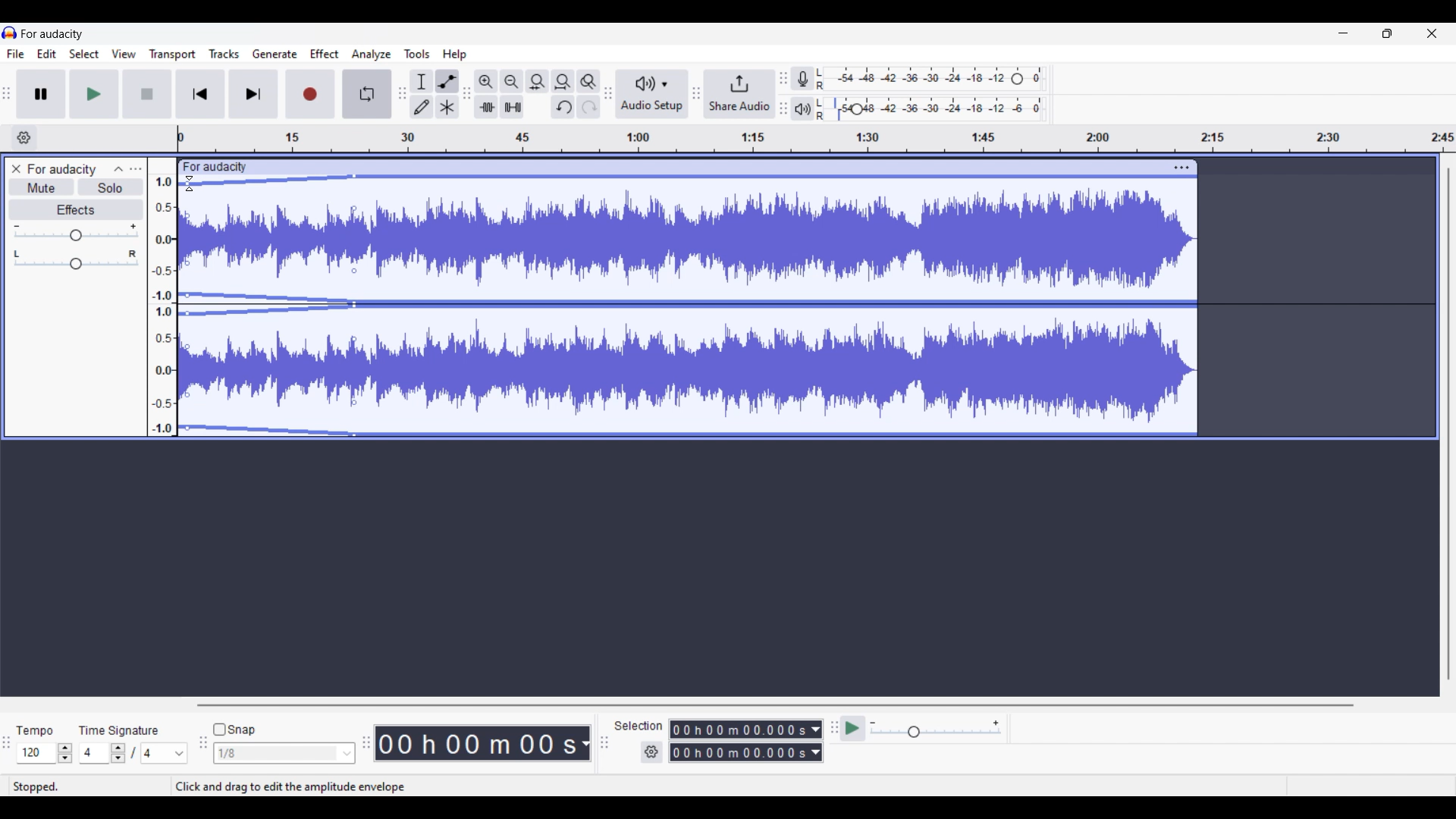  What do you see at coordinates (802, 78) in the screenshot?
I see `Record meter` at bounding box center [802, 78].